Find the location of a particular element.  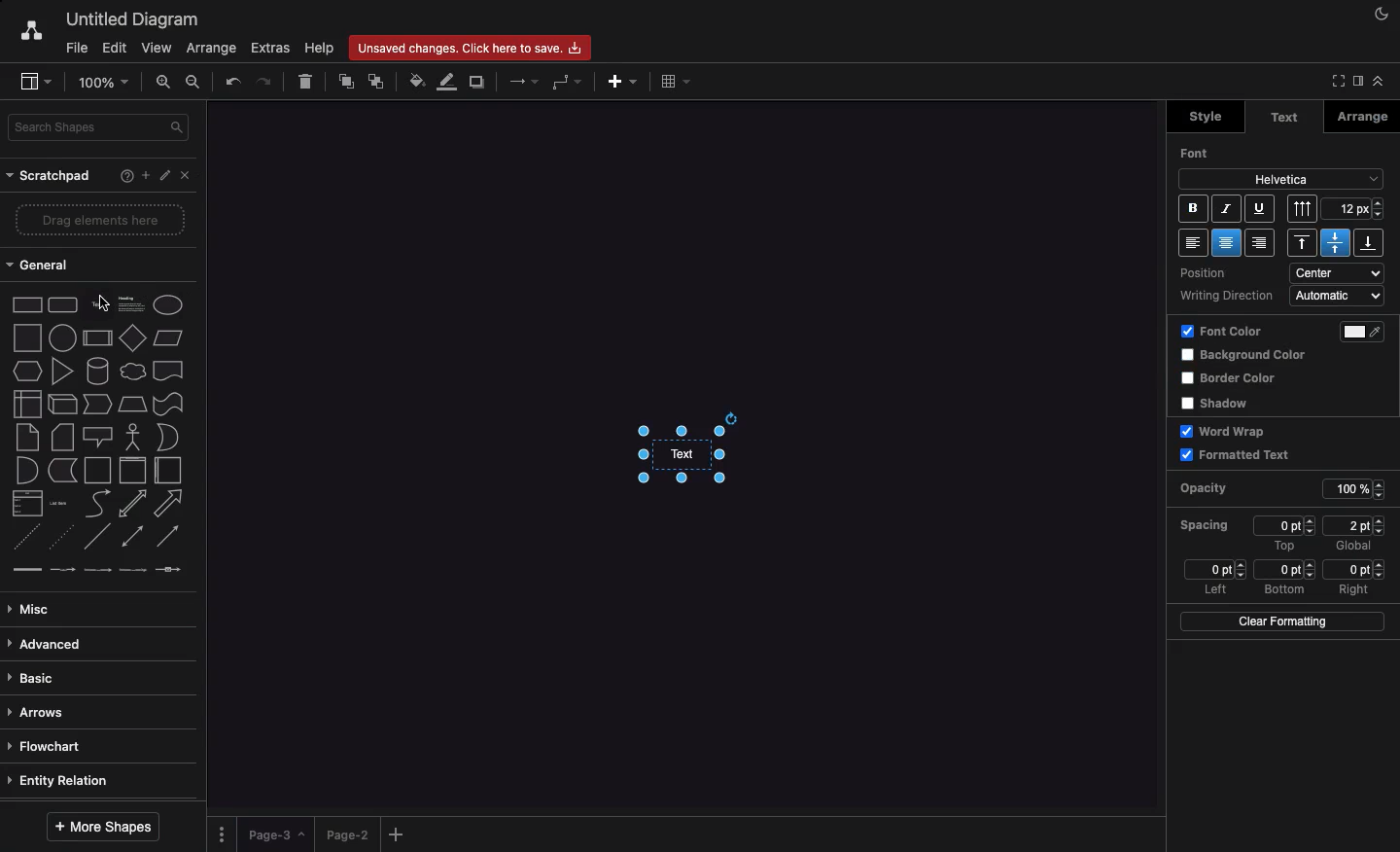

Collapse is located at coordinates (1335, 82).